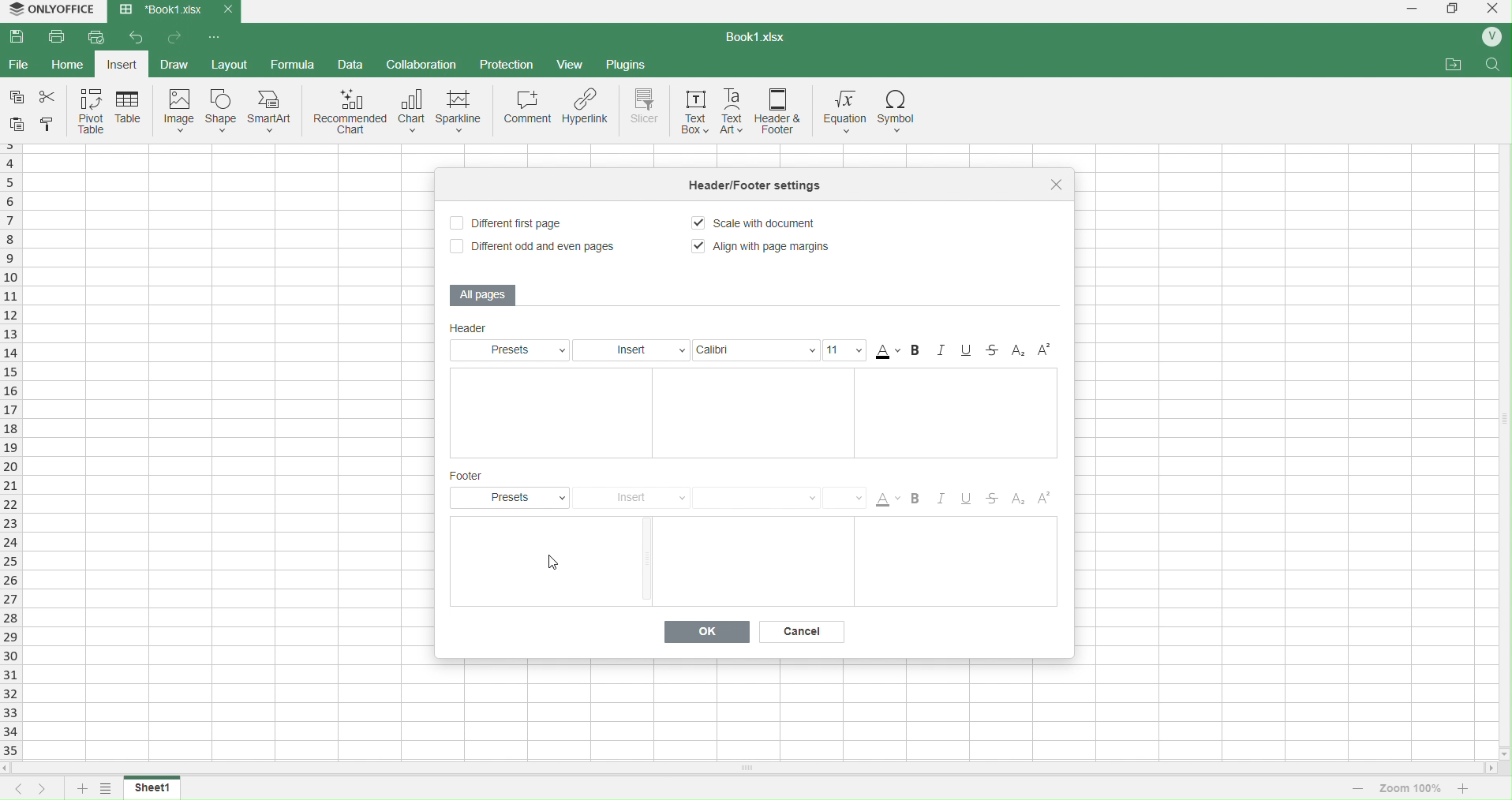 This screenshot has height=800, width=1512. What do you see at coordinates (49, 97) in the screenshot?
I see `cut` at bounding box center [49, 97].